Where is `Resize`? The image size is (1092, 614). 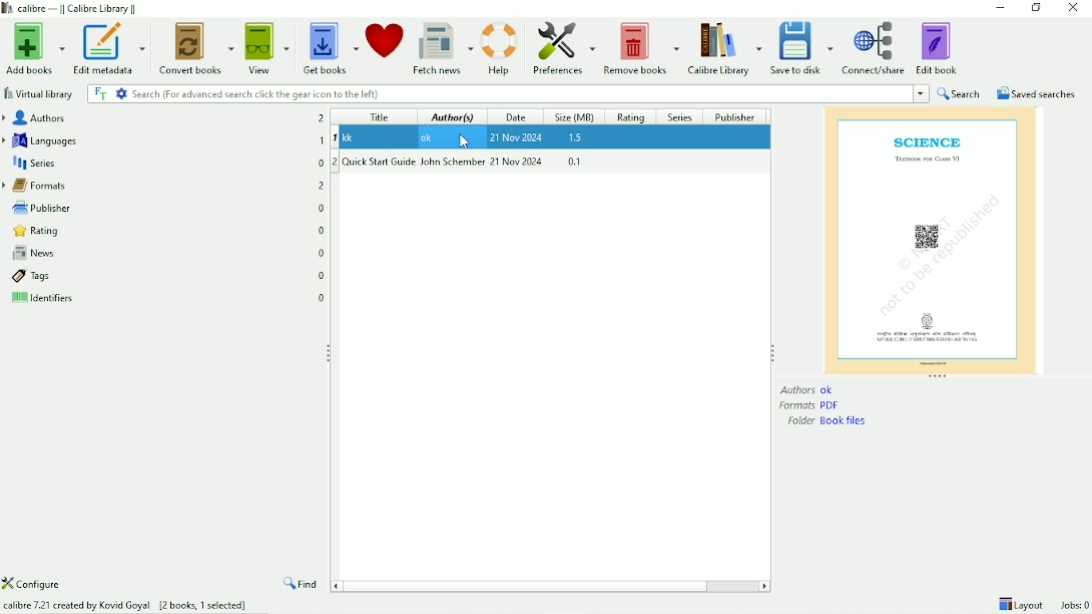 Resize is located at coordinates (937, 377).